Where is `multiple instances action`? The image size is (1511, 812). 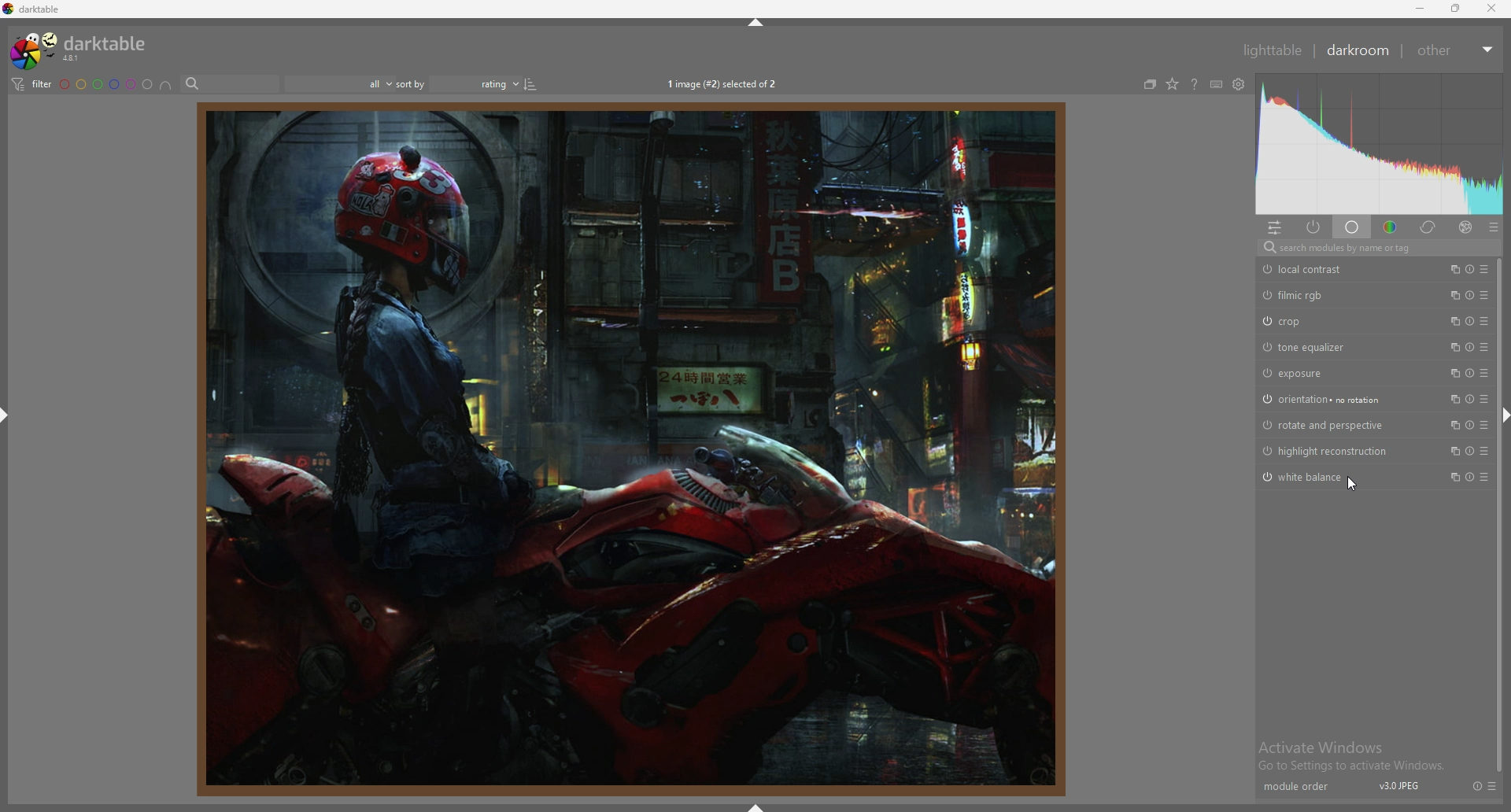
multiple instances action is located at coordinates (1451, 477).